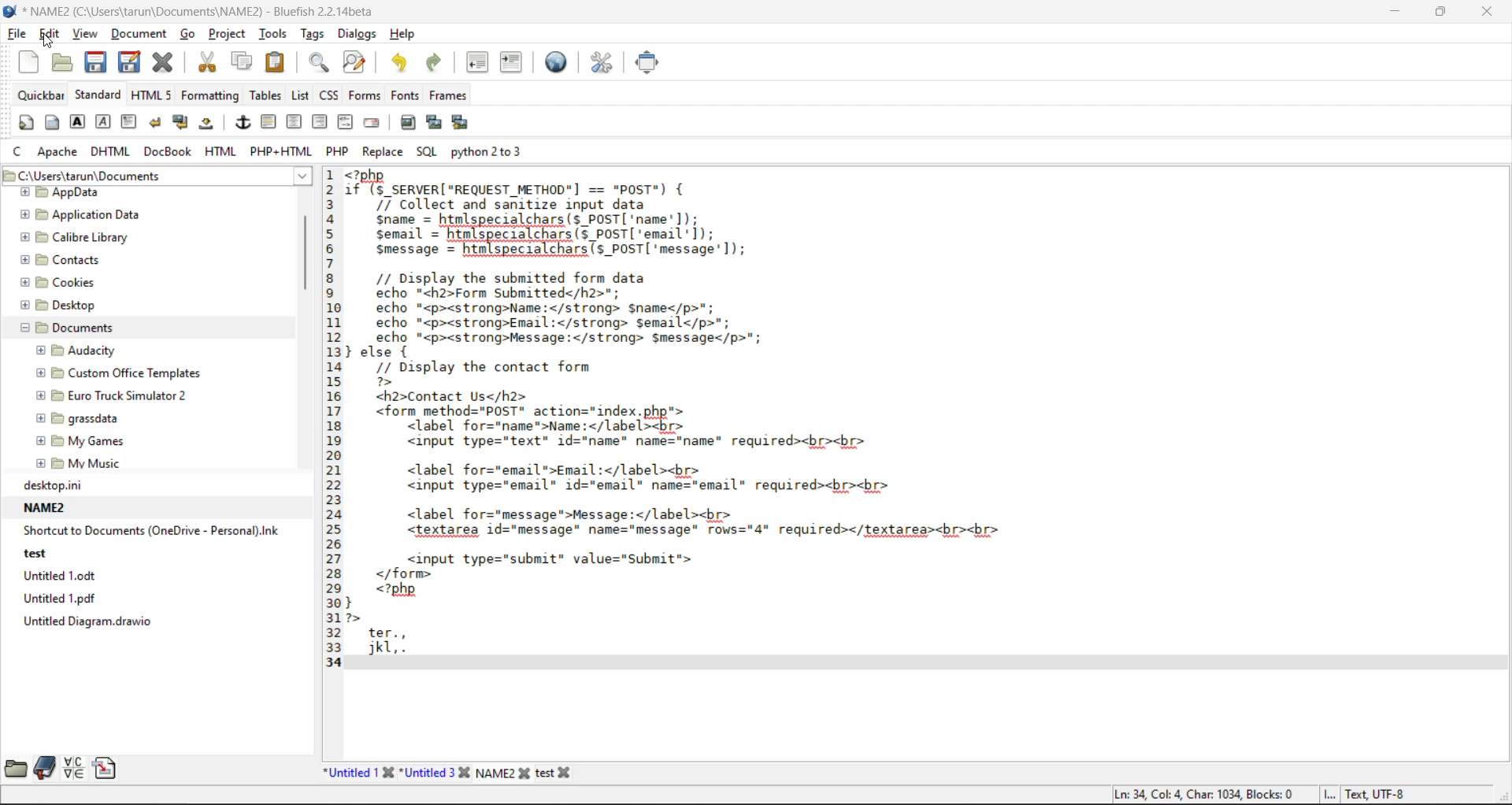 The image size is (1512, 805). Describe the element at coordinates (513, 63) in the screenshot. I see `indent` at that location.